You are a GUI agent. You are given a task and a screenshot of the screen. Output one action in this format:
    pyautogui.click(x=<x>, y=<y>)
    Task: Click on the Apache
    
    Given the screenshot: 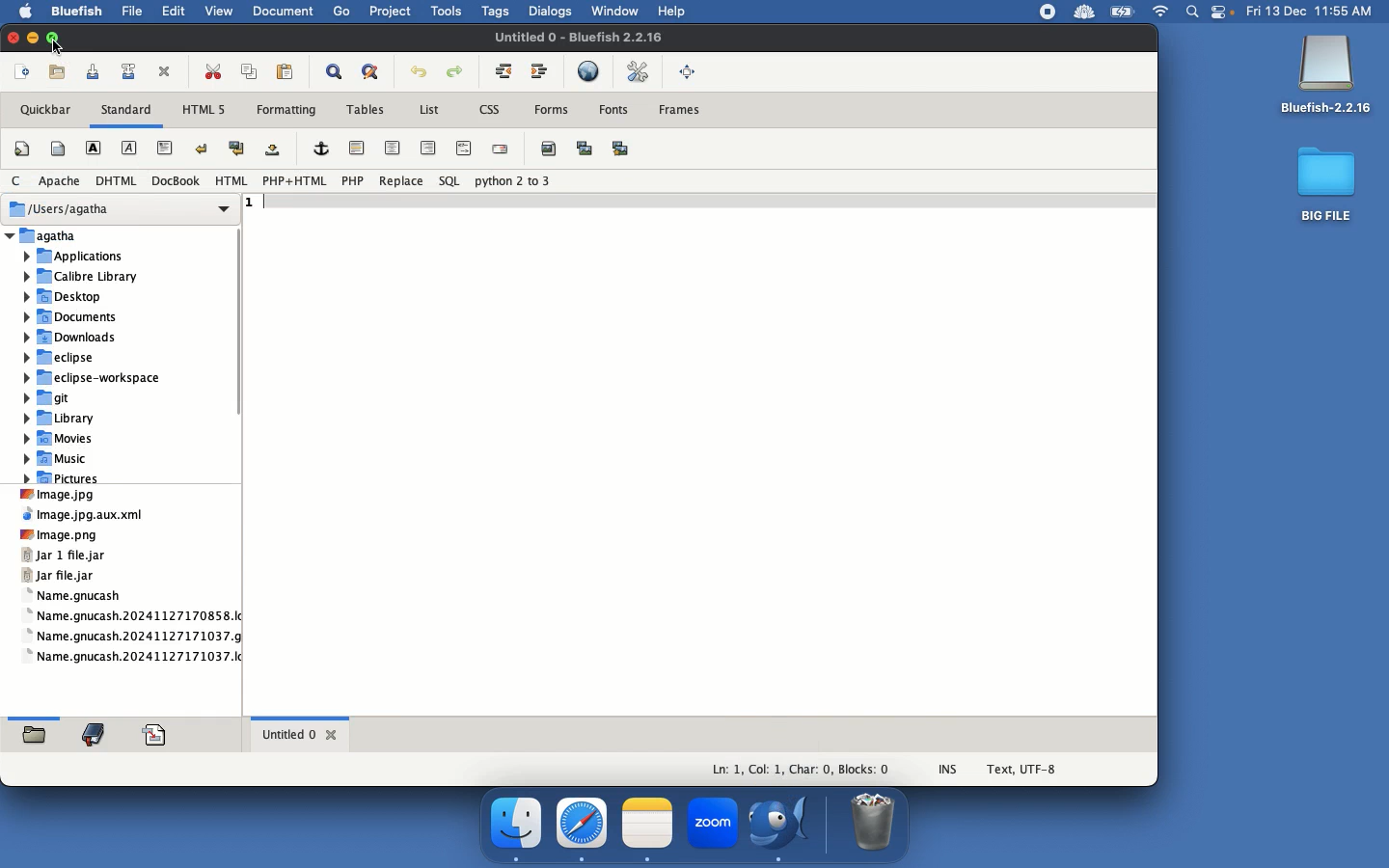 What is the action you would take?
    pyautogui.click(x=57, y=181)
    